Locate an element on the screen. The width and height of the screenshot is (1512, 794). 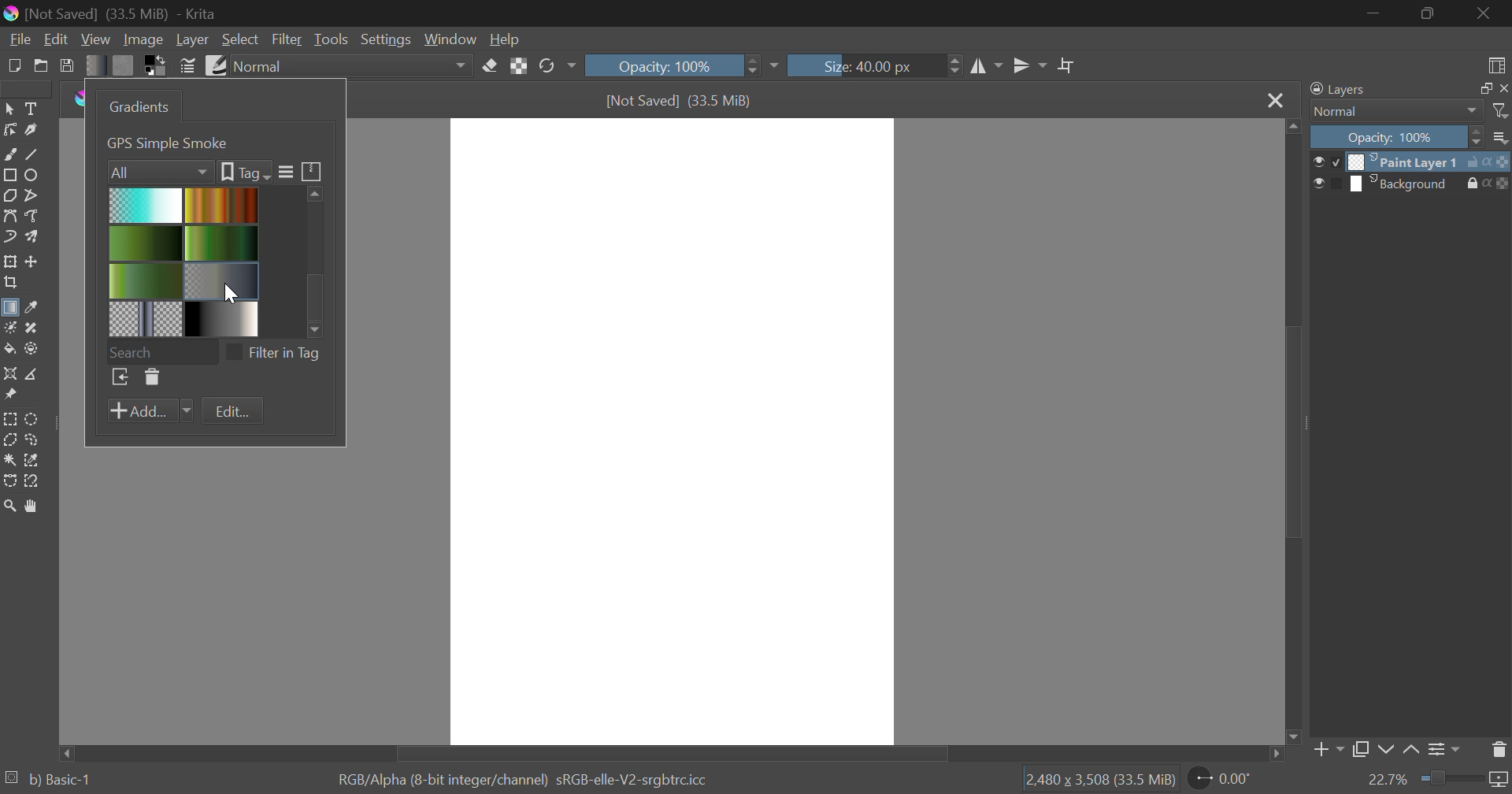
icon is located at coordinates (1503, 184).